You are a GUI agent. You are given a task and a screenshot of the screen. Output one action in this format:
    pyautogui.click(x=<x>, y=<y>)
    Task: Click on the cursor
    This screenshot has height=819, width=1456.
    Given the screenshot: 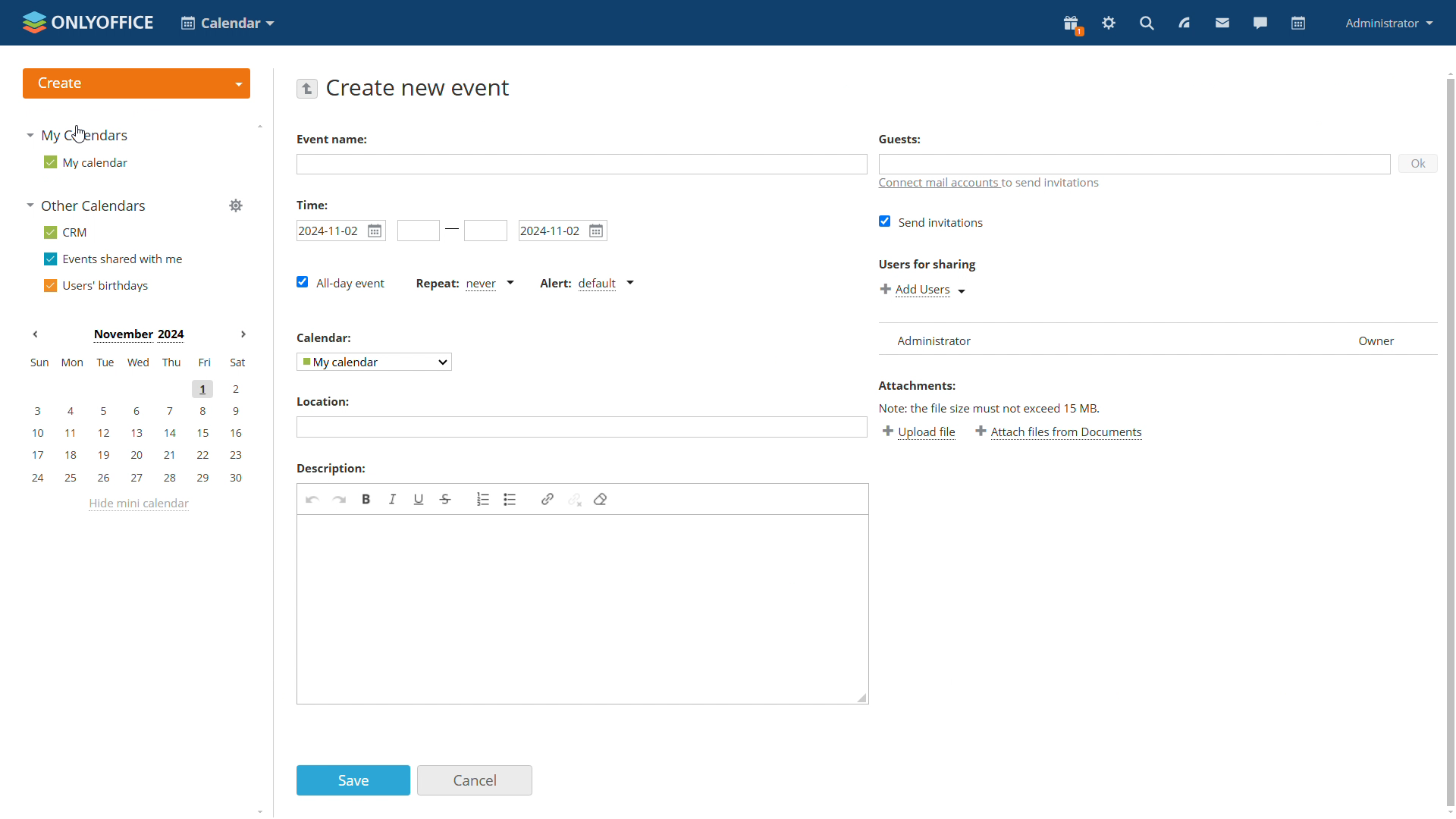 What is the action you would take?
    pyautogui.click(x=77, y=133)
    